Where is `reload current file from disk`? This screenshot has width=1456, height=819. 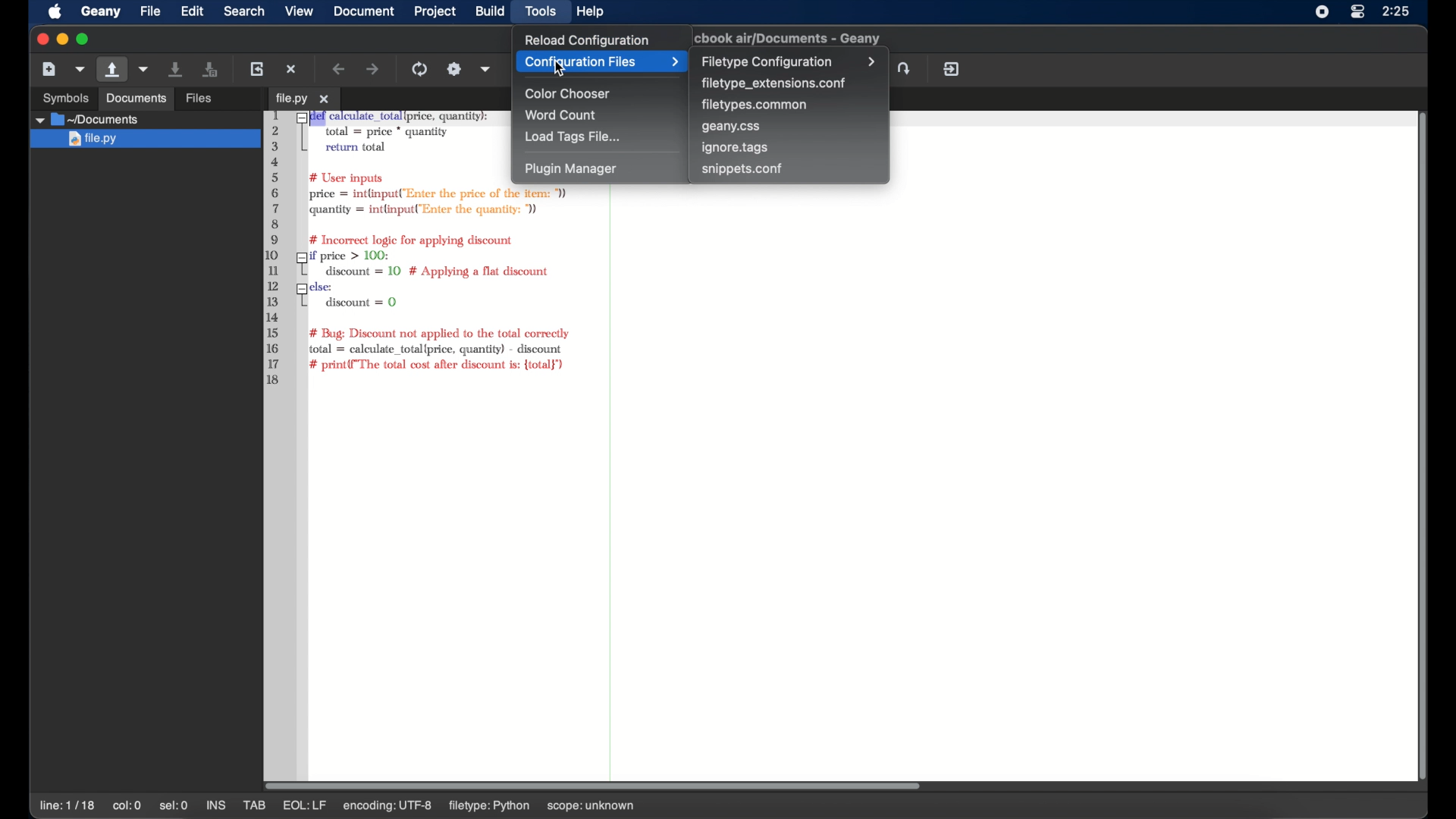
reload current file from disk is located at coordinates (256, 68).